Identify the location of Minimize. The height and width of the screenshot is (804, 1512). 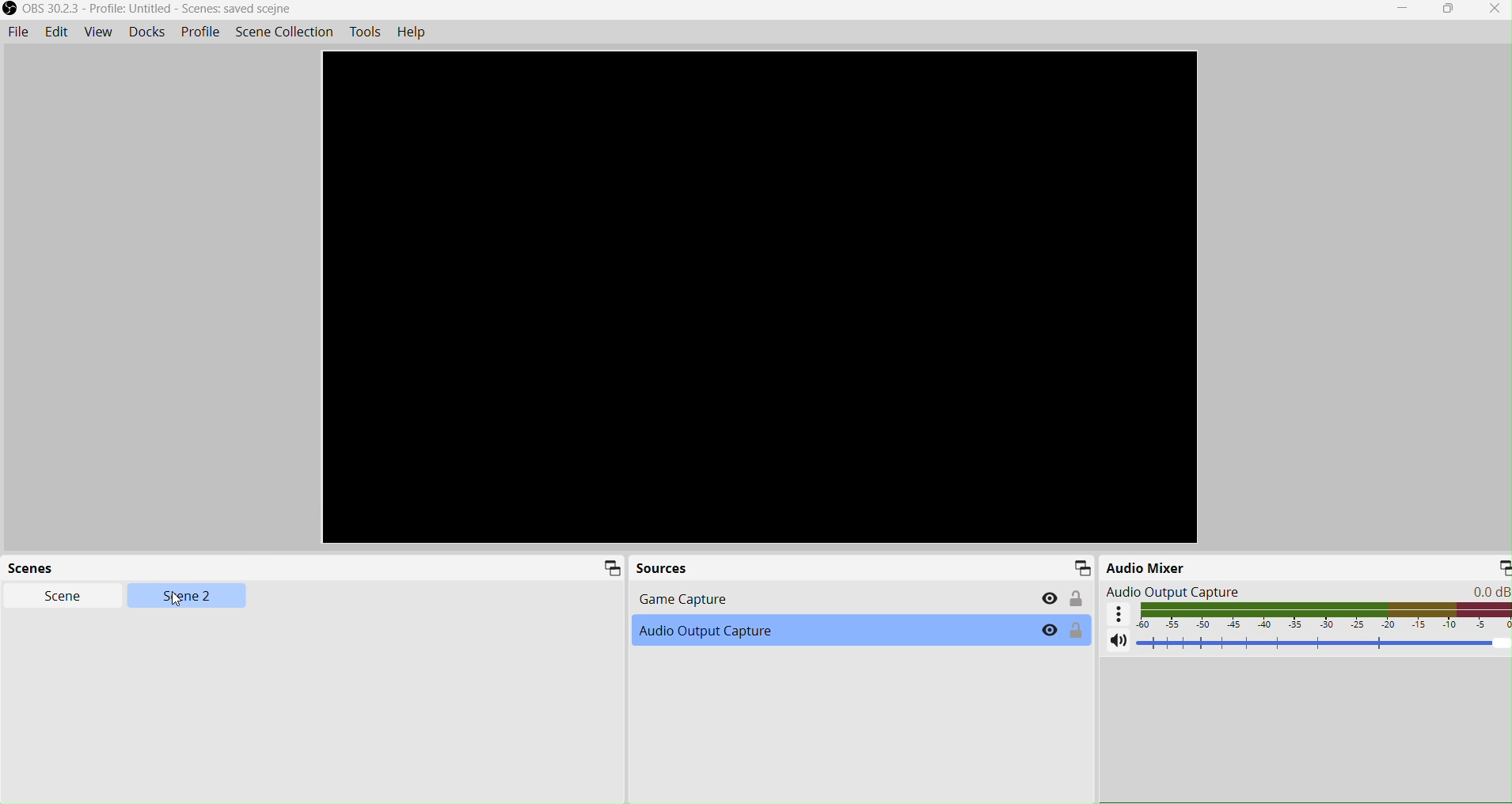
(1401, 9).